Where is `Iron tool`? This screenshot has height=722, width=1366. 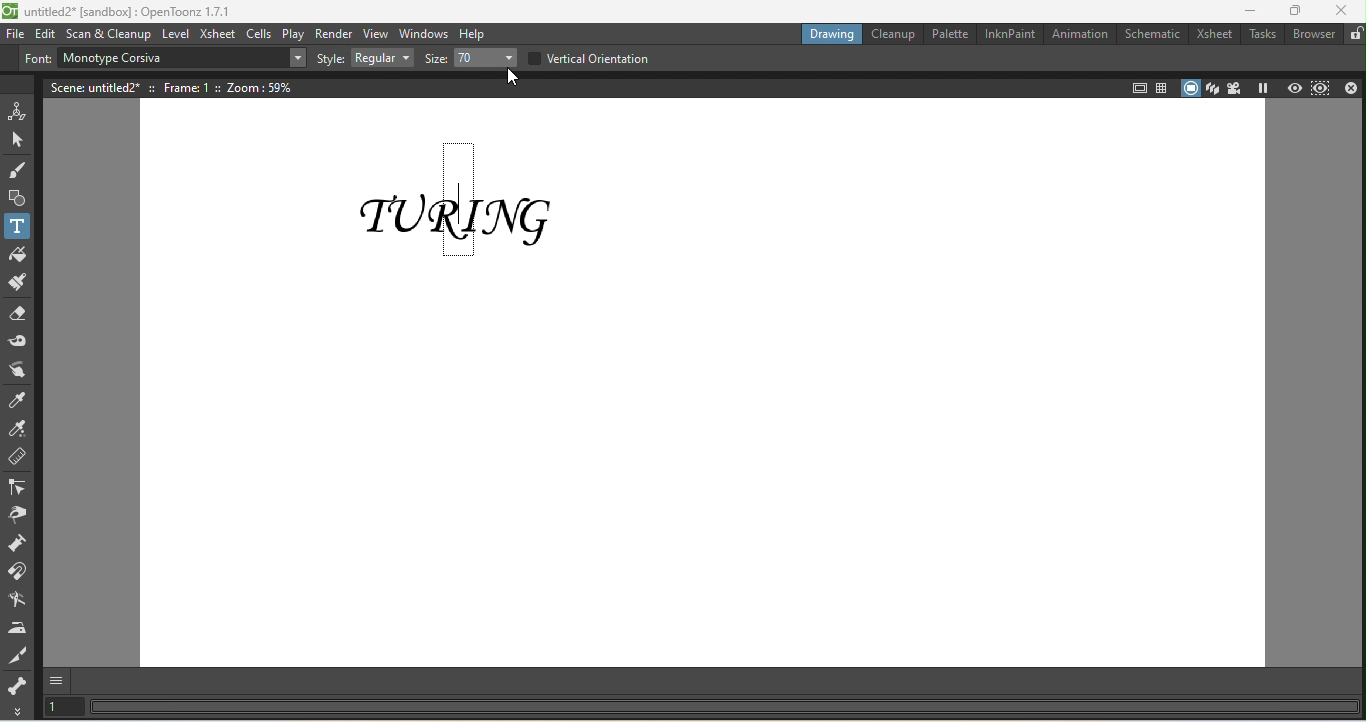 Iron tool is located at coordinates (17, 624).